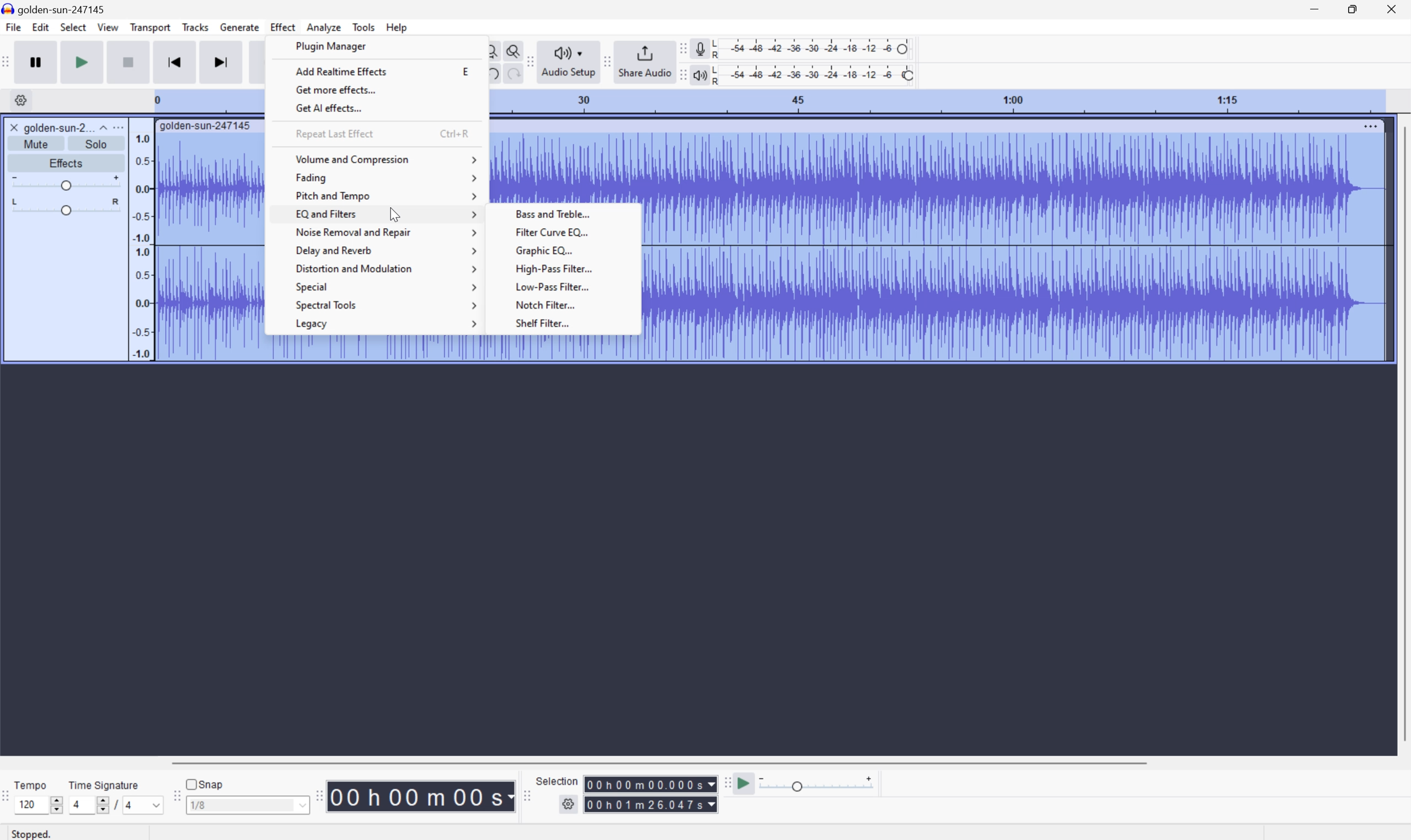  Describe the element at coordinates (96, 144) in the screenshot. I see `Solo` at that location.